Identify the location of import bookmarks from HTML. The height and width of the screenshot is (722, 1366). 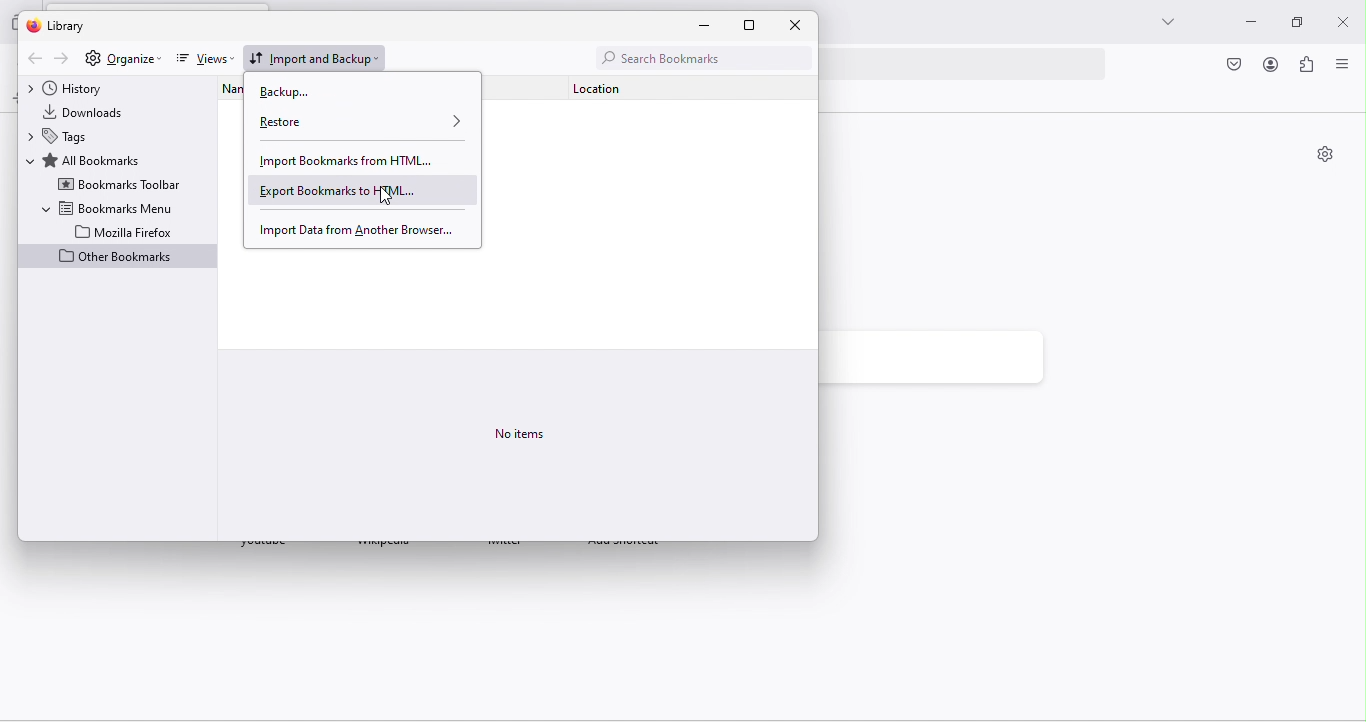
(349, 161).